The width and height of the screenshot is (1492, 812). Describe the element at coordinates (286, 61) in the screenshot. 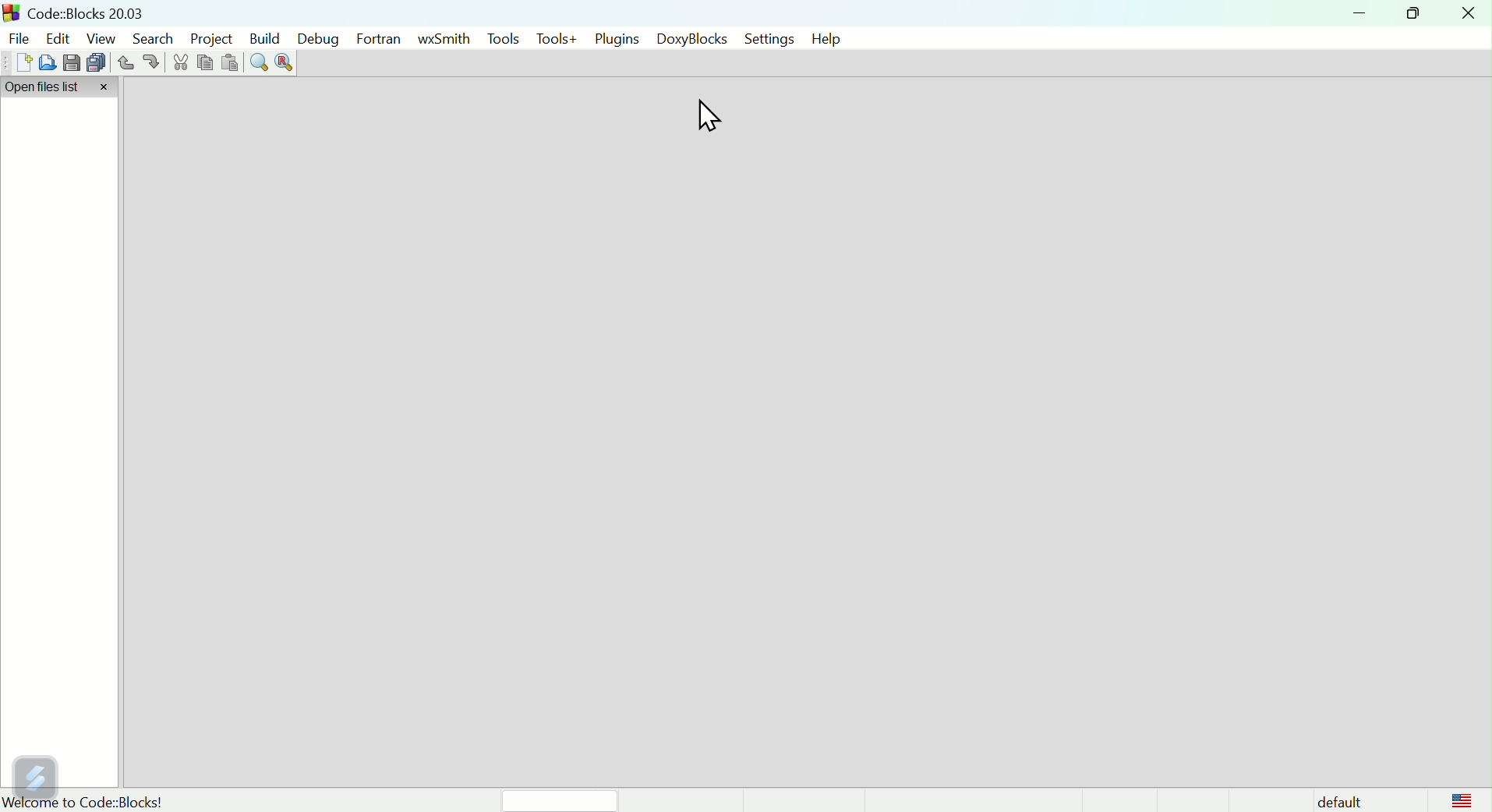

I see `Replace` at that location.